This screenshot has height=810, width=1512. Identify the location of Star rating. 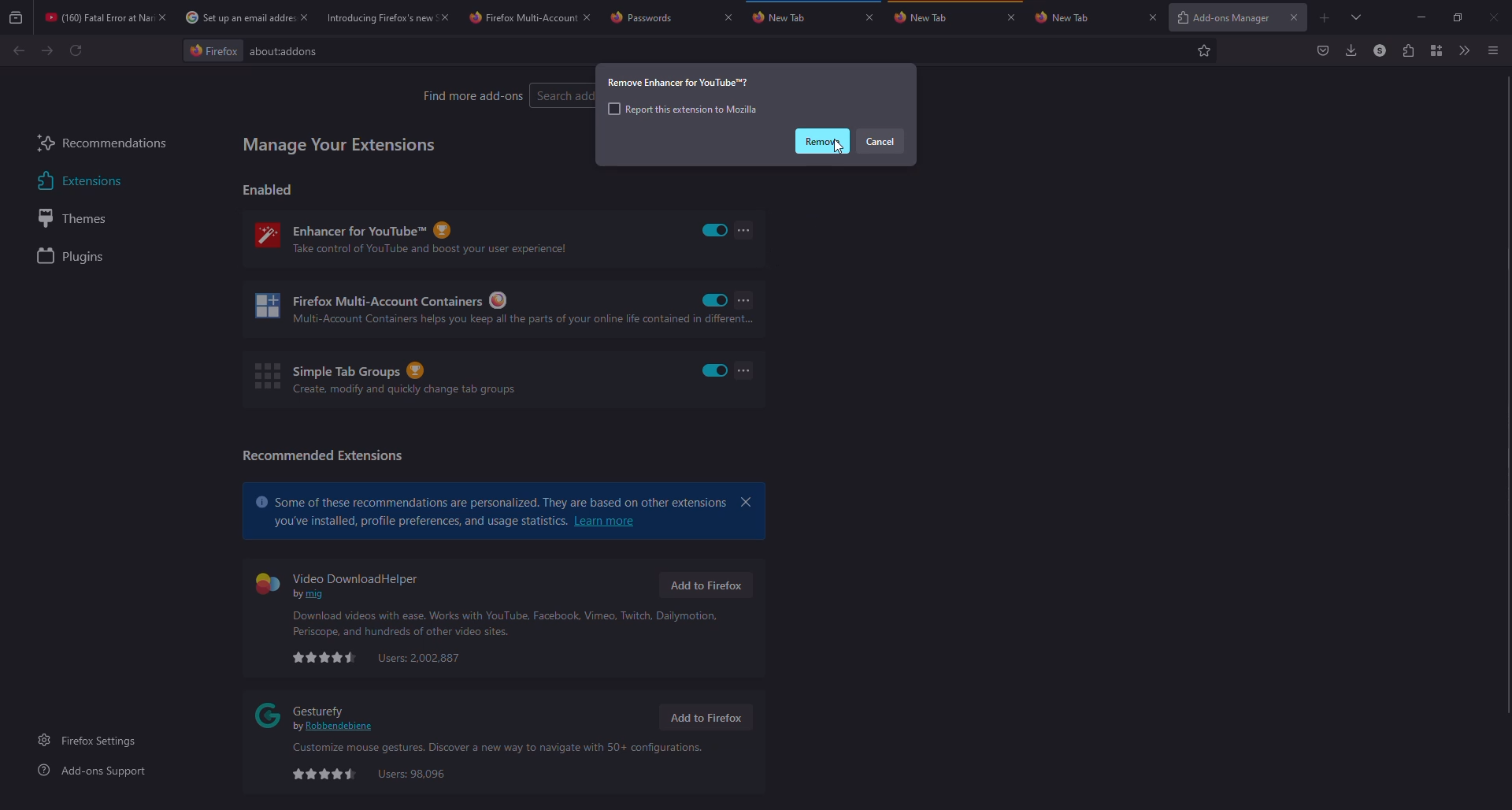
(324, 775).